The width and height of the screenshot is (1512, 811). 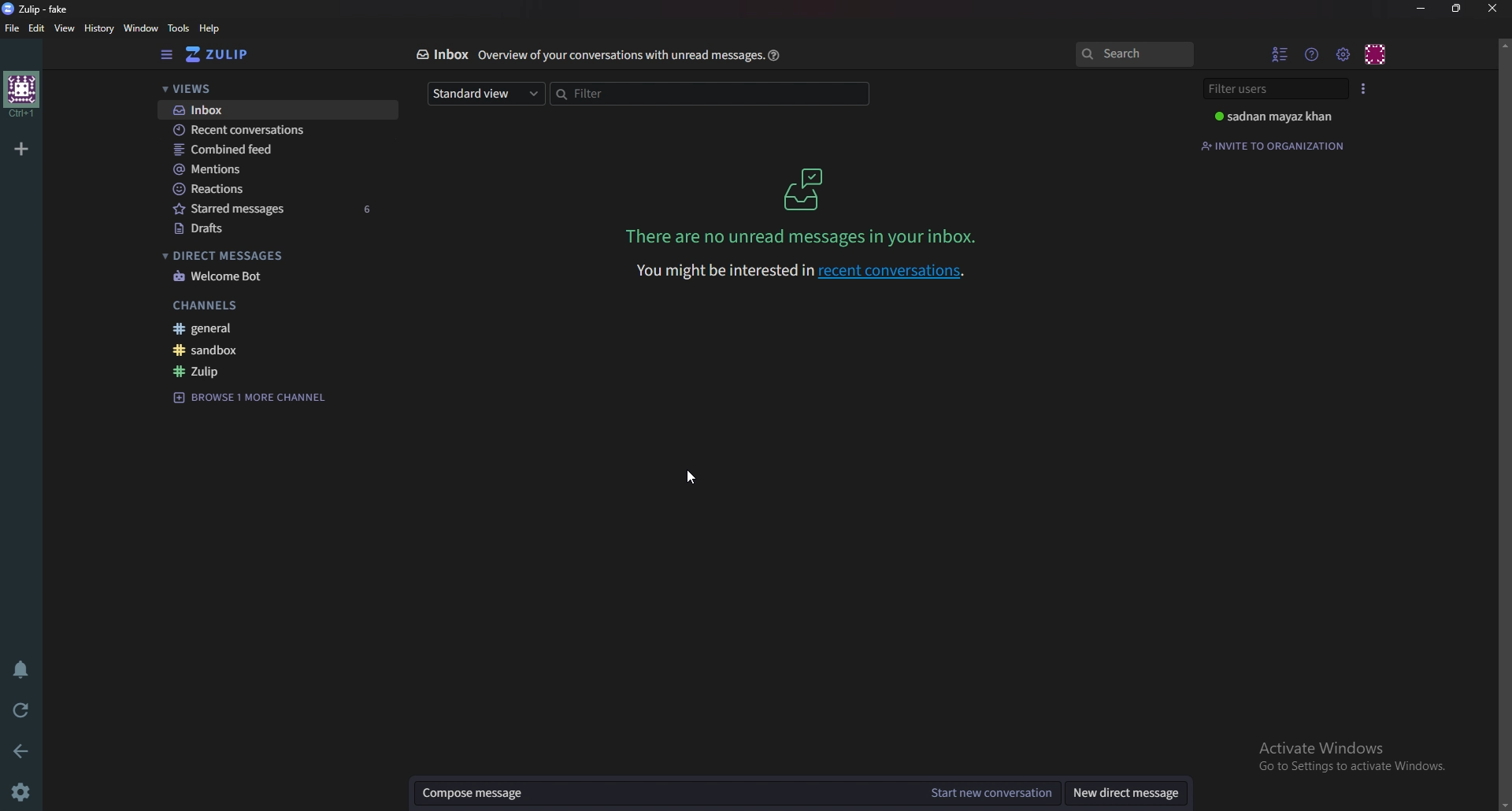 I want to click on Enable do not disturb, so click(x=22, y=670).